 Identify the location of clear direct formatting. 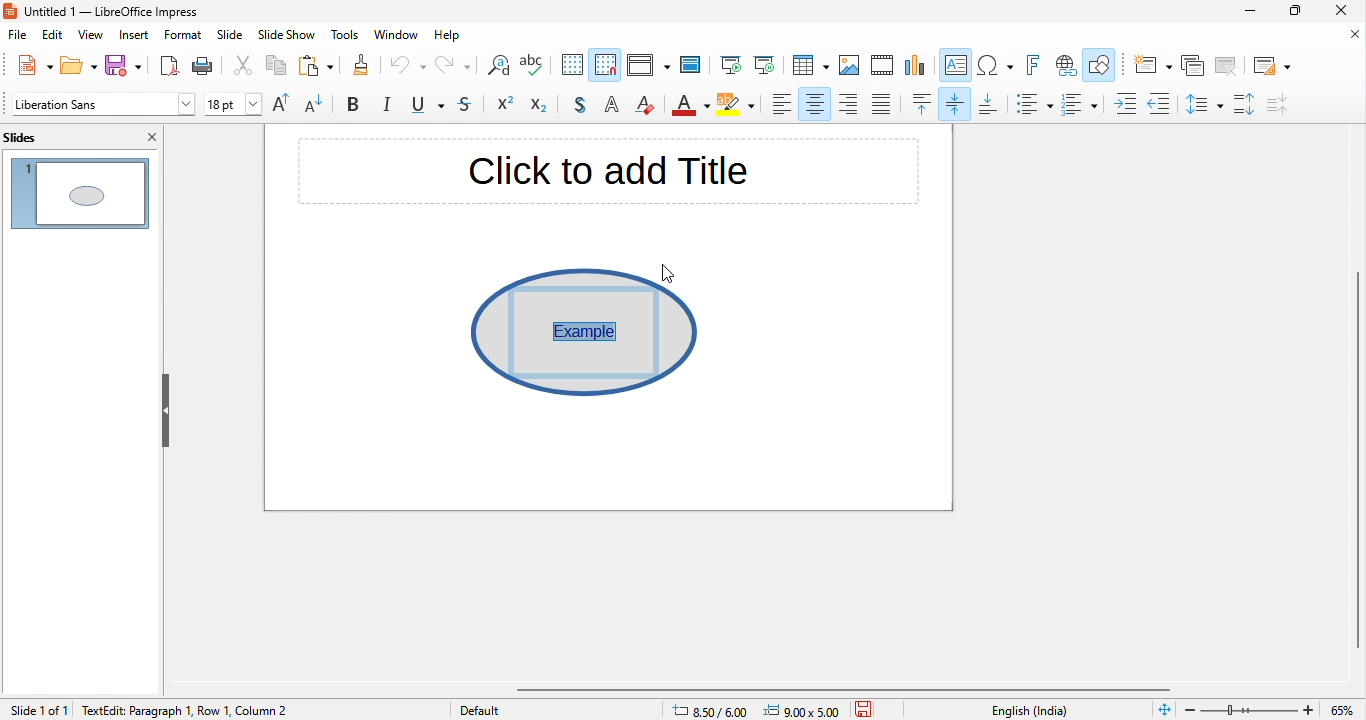
(647, 106).